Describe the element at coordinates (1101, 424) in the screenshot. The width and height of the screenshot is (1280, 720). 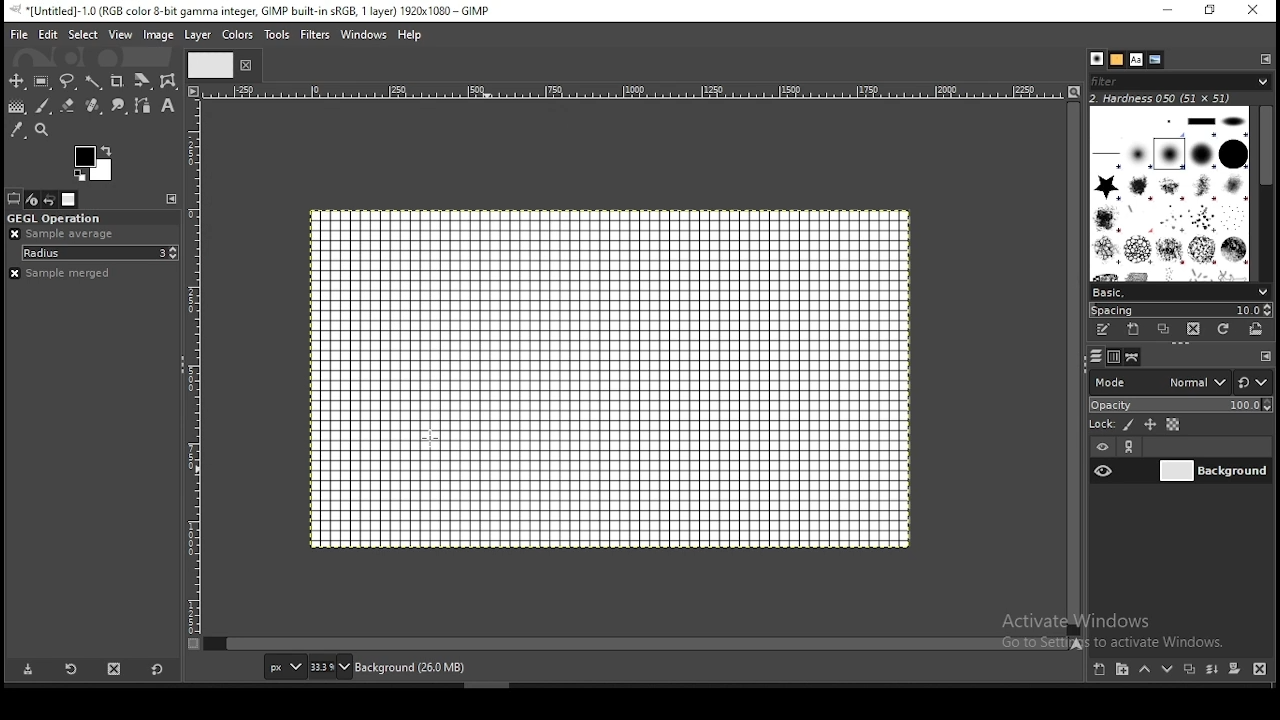
I see `lock` at that location.